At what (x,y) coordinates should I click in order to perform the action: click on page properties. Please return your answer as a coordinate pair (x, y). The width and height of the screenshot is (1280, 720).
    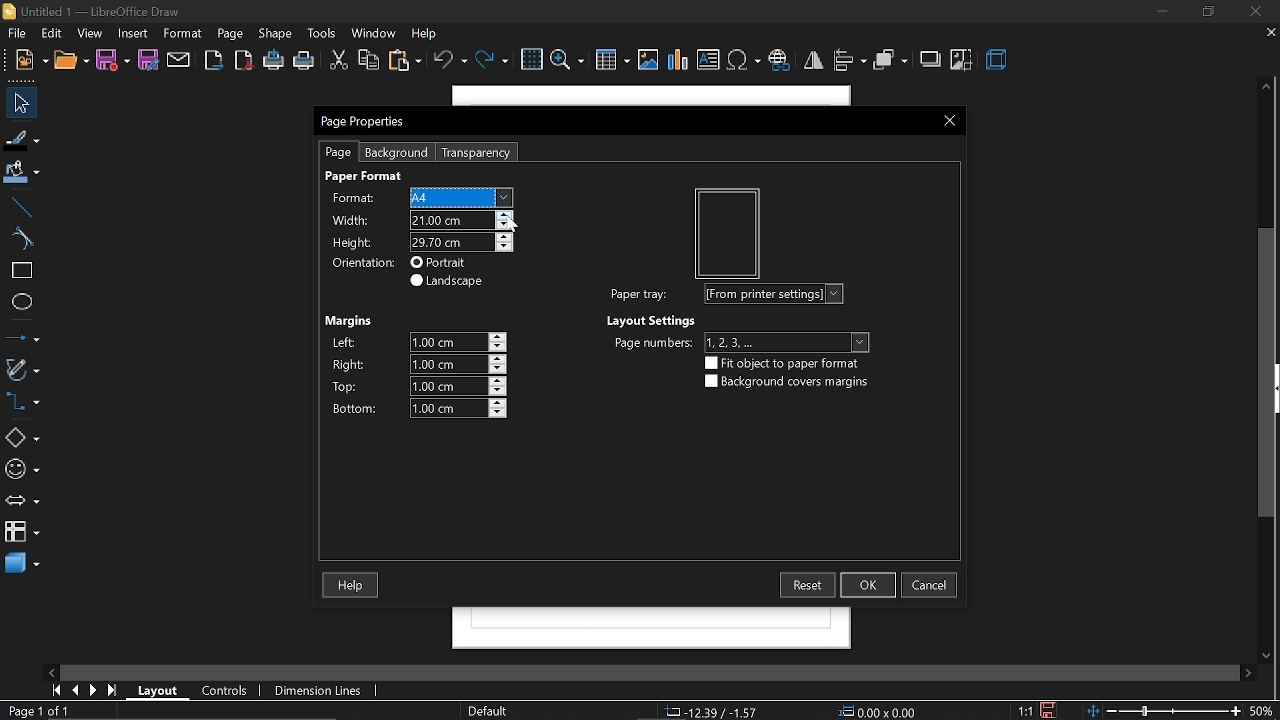
    Looking at the image, I should click on (374, 120).